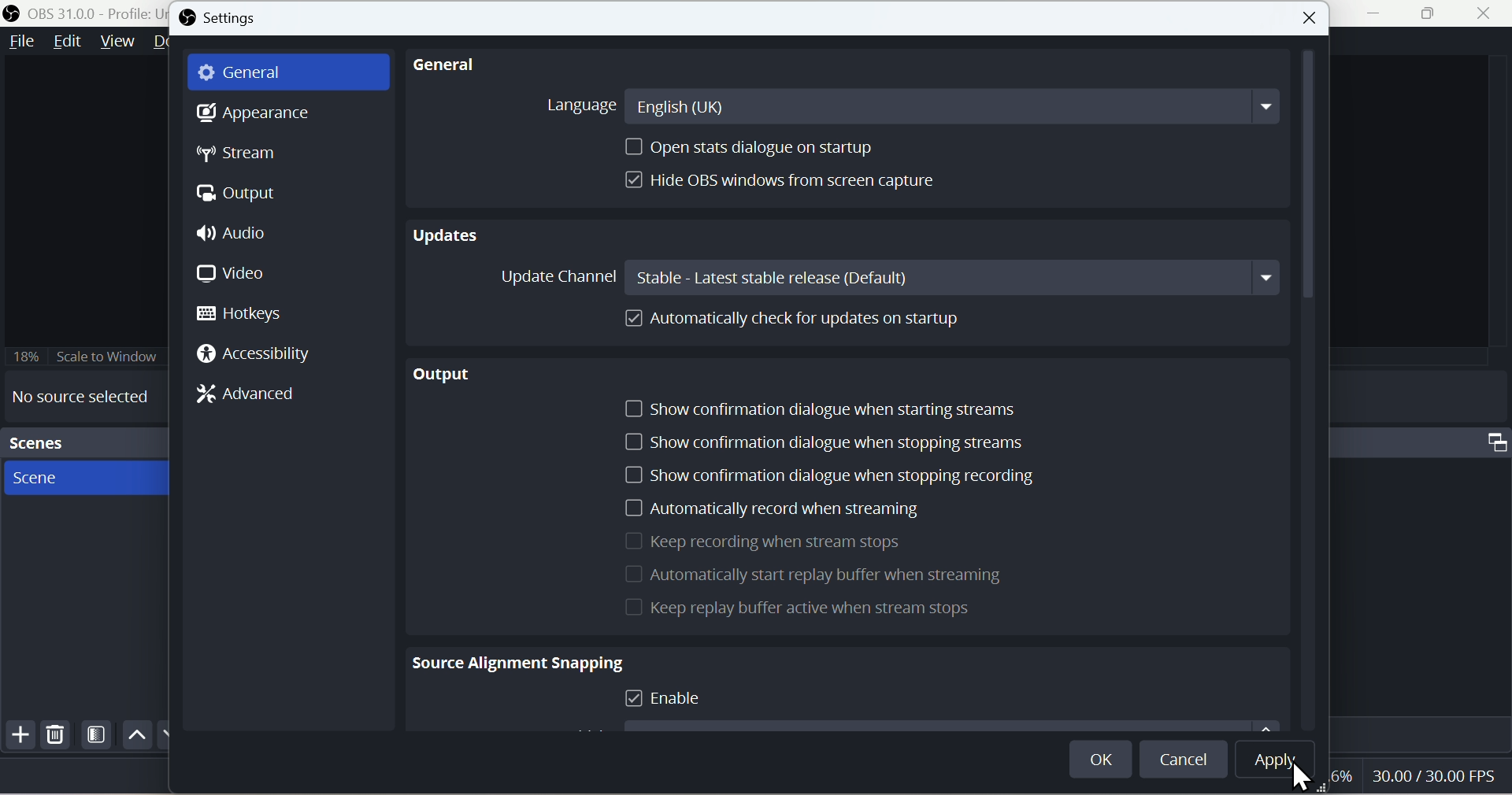  Describe the element at coordinates (242, 275) in the screenshot. I see `Video` at that location.